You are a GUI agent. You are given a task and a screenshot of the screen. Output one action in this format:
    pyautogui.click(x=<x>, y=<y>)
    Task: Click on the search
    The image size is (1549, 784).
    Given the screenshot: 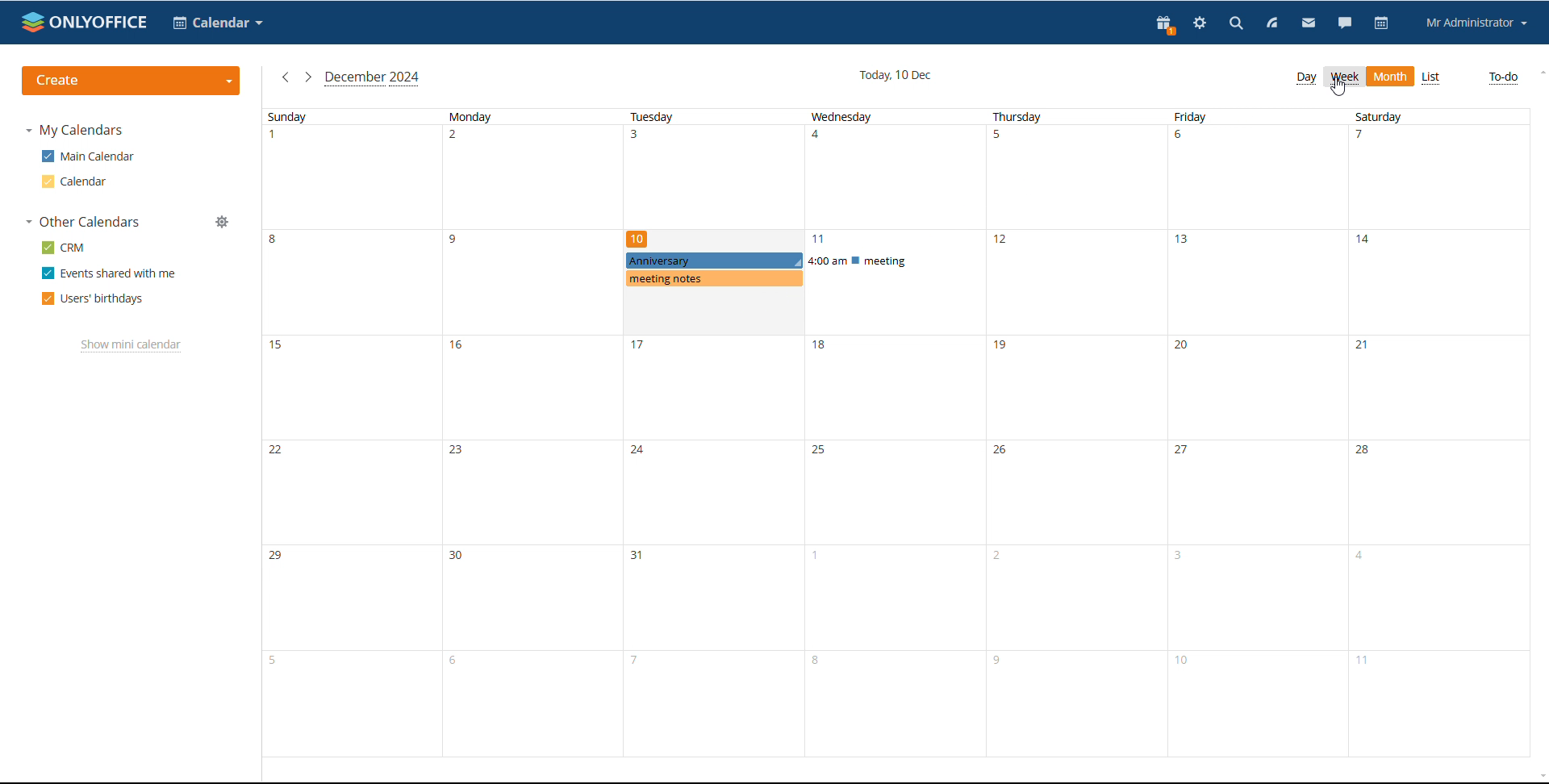 What is the action you would take?
    pyautogui.click(x=1234, y=24)
    